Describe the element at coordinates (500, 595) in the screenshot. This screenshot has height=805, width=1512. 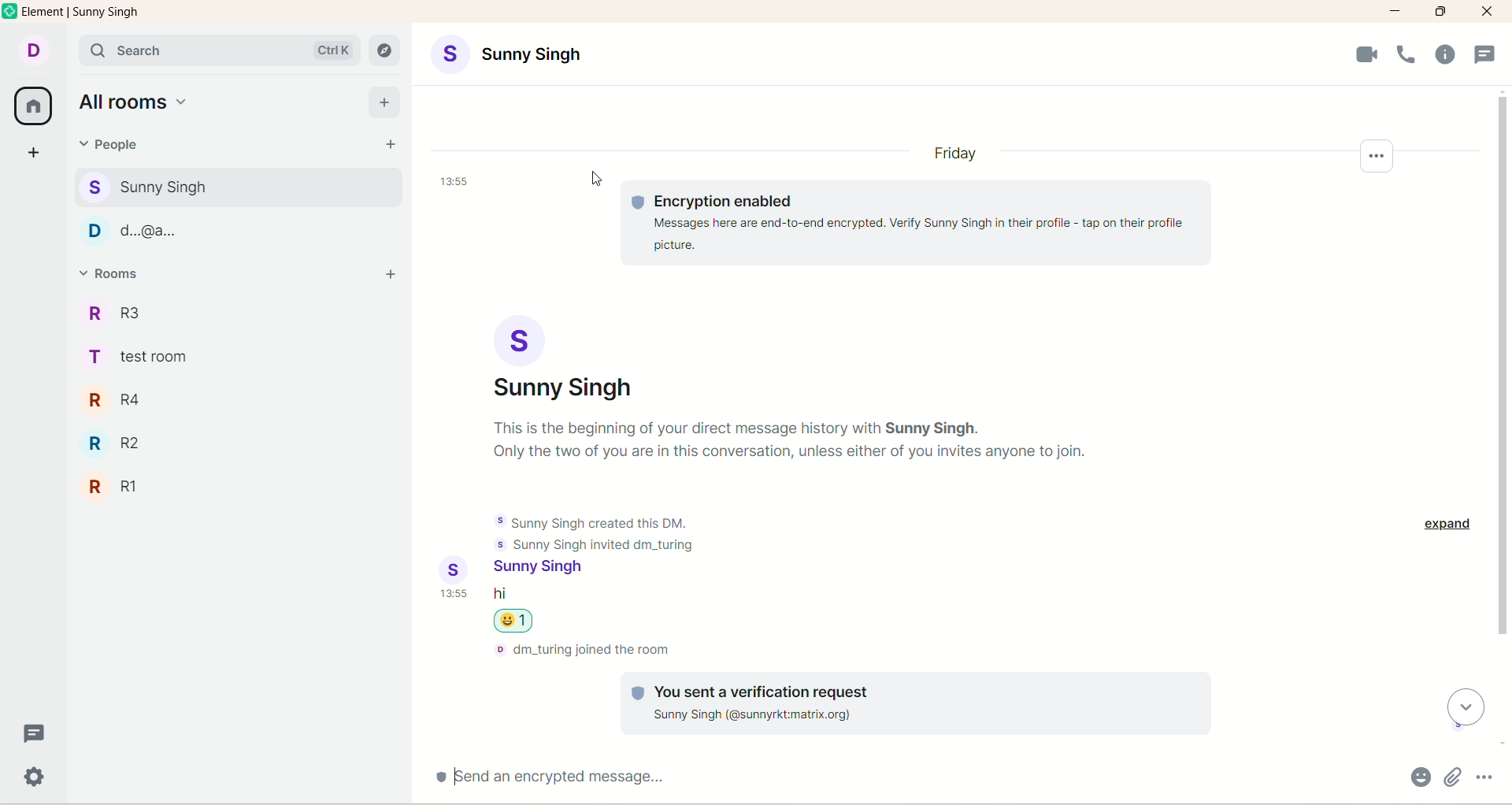
I see `message` at that location.